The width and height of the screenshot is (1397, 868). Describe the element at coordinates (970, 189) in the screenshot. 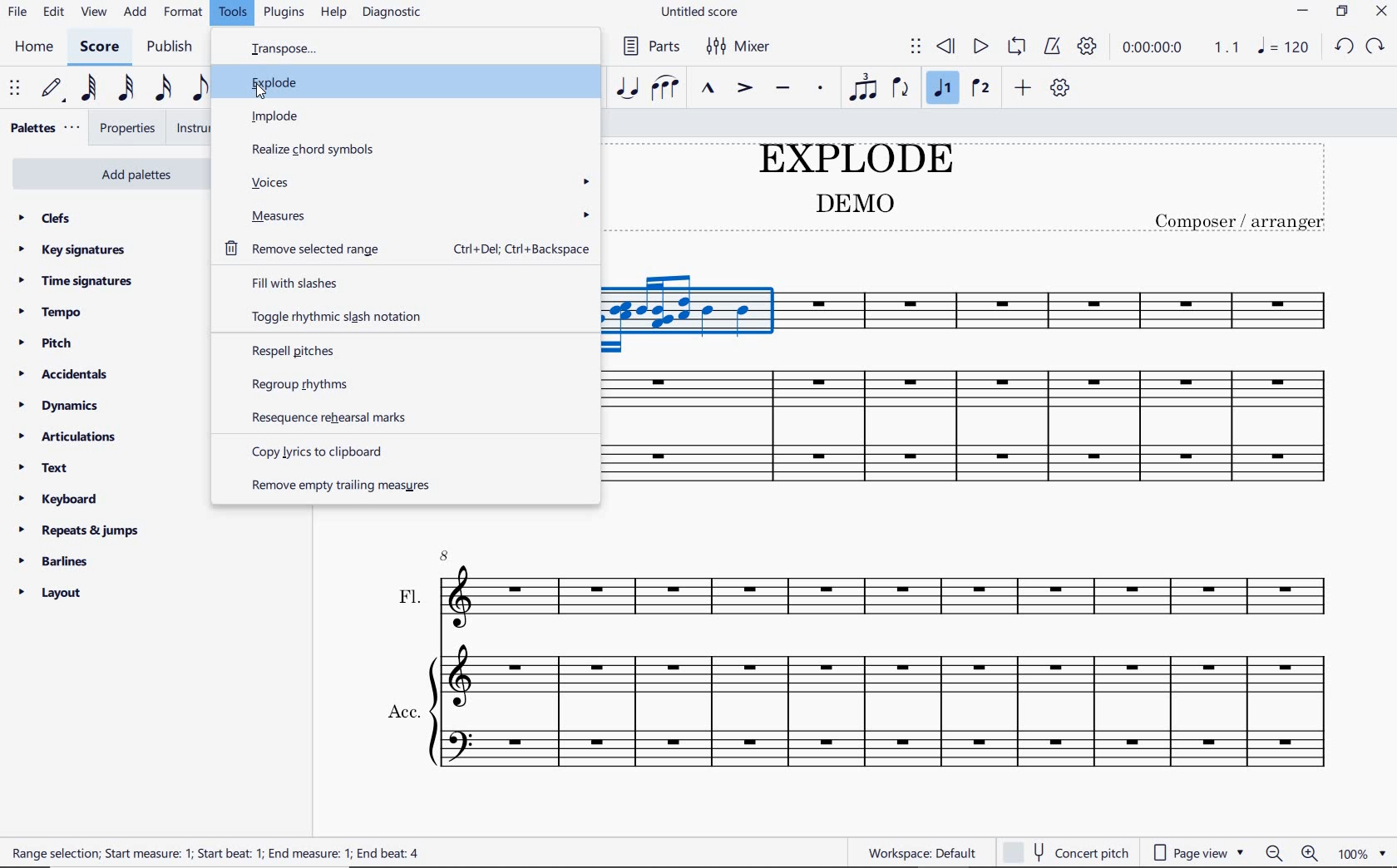

I see `title` at that location.